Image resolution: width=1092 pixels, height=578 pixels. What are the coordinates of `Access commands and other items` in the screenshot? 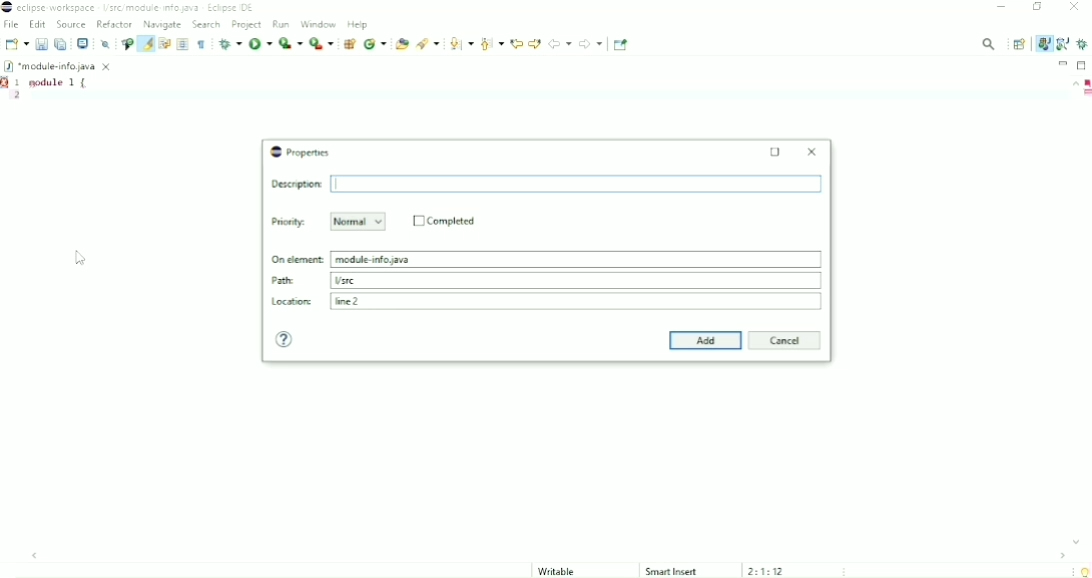 It's located at (989, 43).